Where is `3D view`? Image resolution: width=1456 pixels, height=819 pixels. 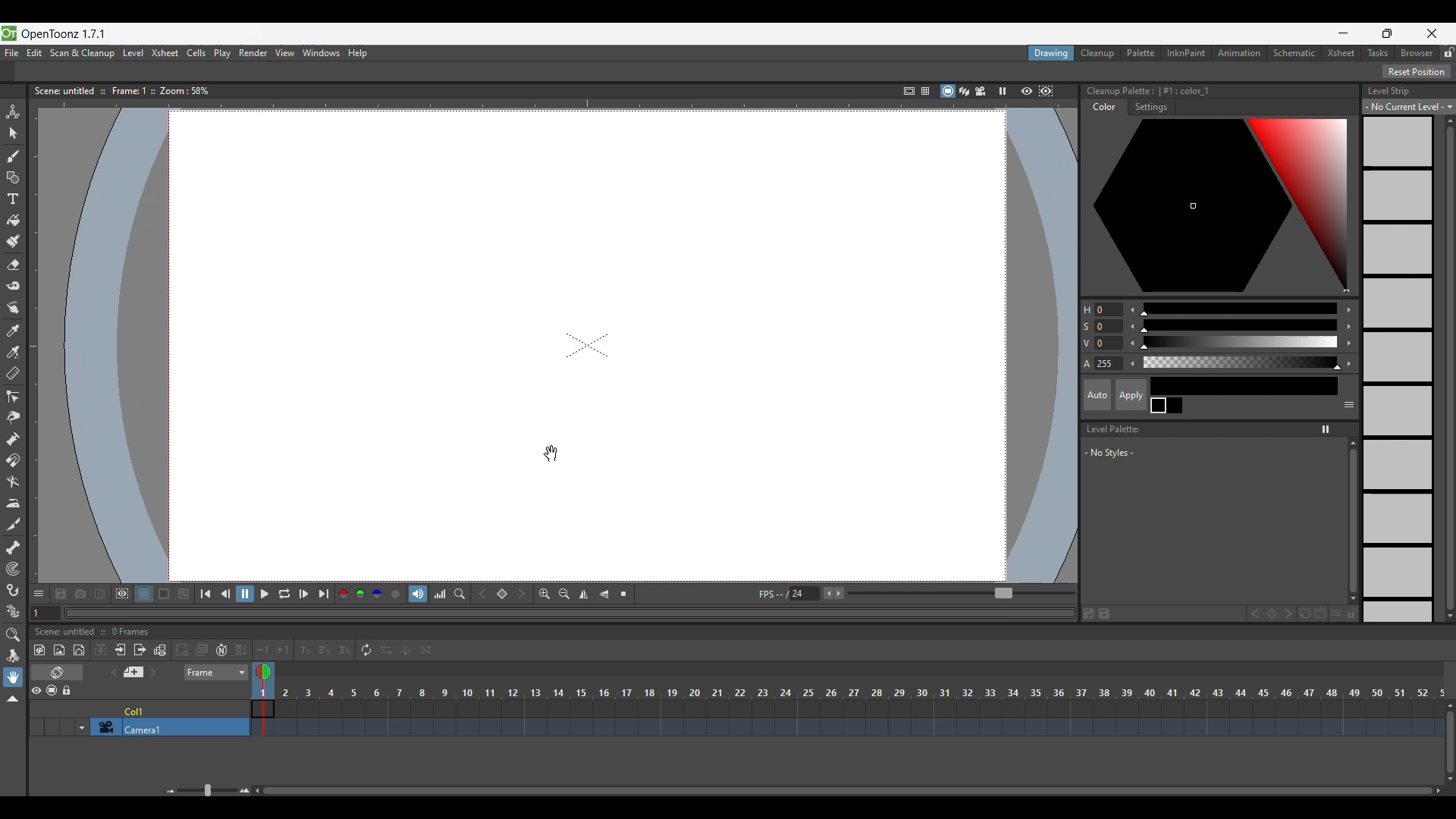
3D view is located at coordinates (965, 91).